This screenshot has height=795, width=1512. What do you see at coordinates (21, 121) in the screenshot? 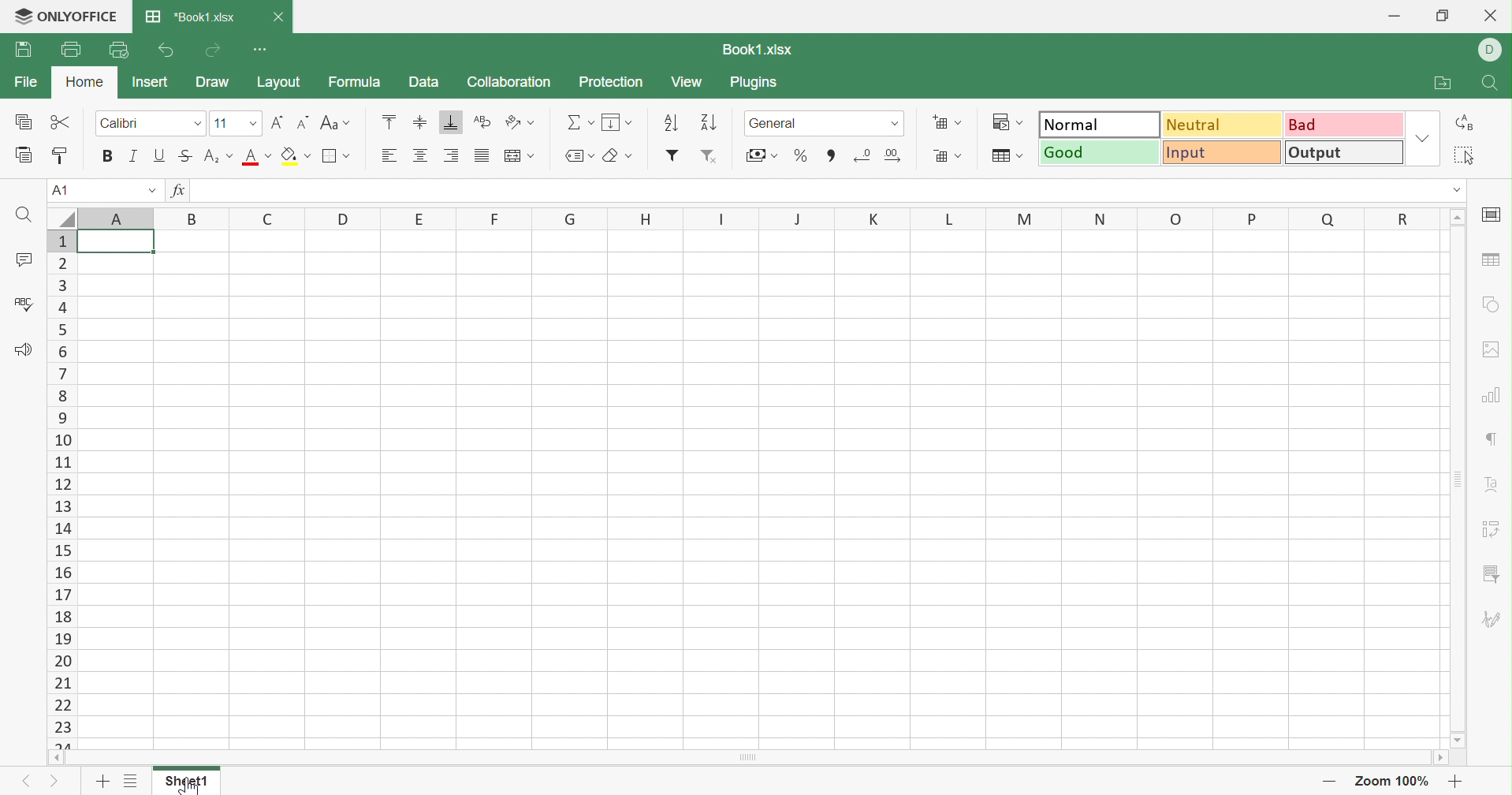
I see `Copy` at bounding box center [21, 121].